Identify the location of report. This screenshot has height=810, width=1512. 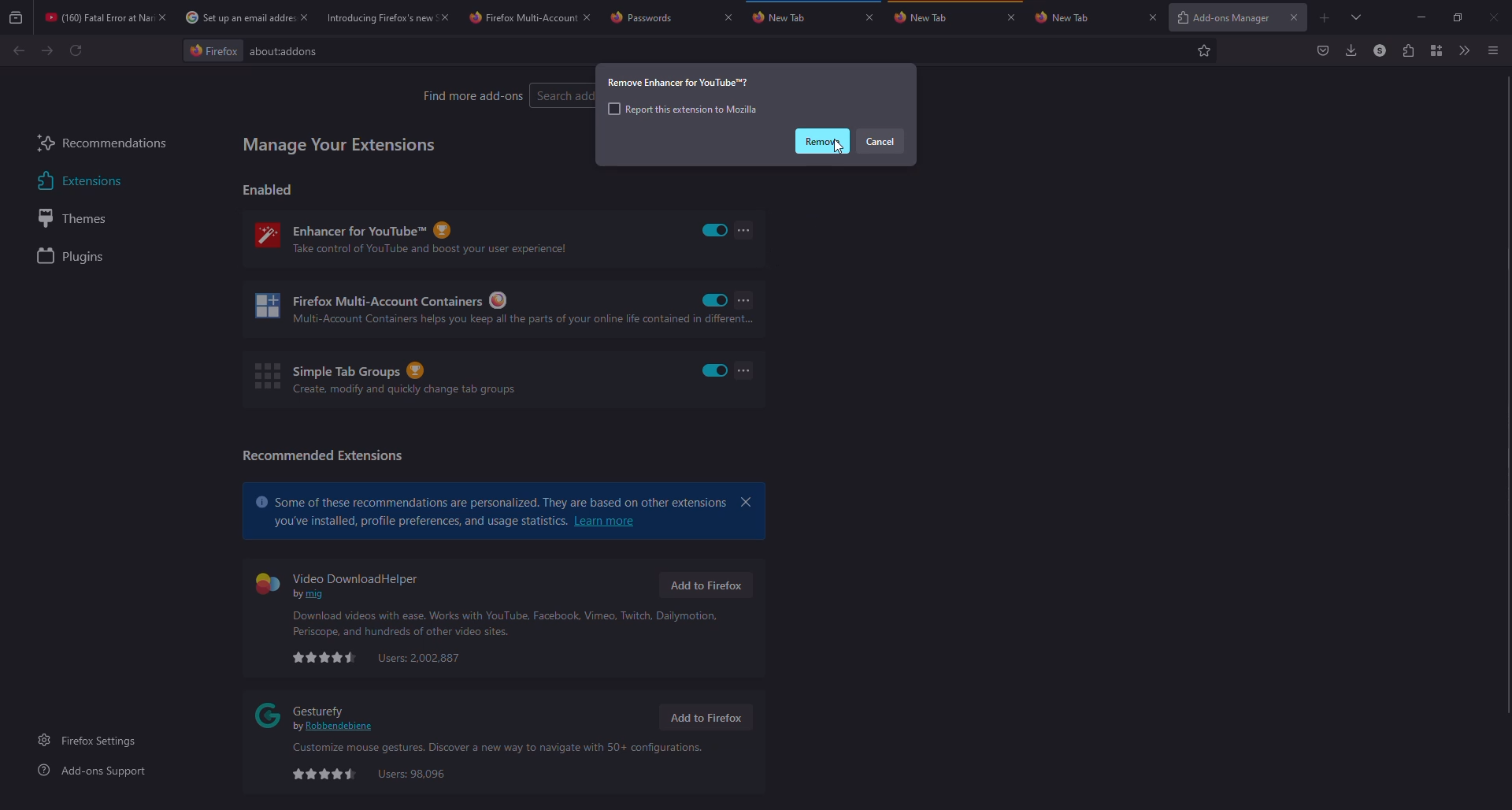
(682, 109).